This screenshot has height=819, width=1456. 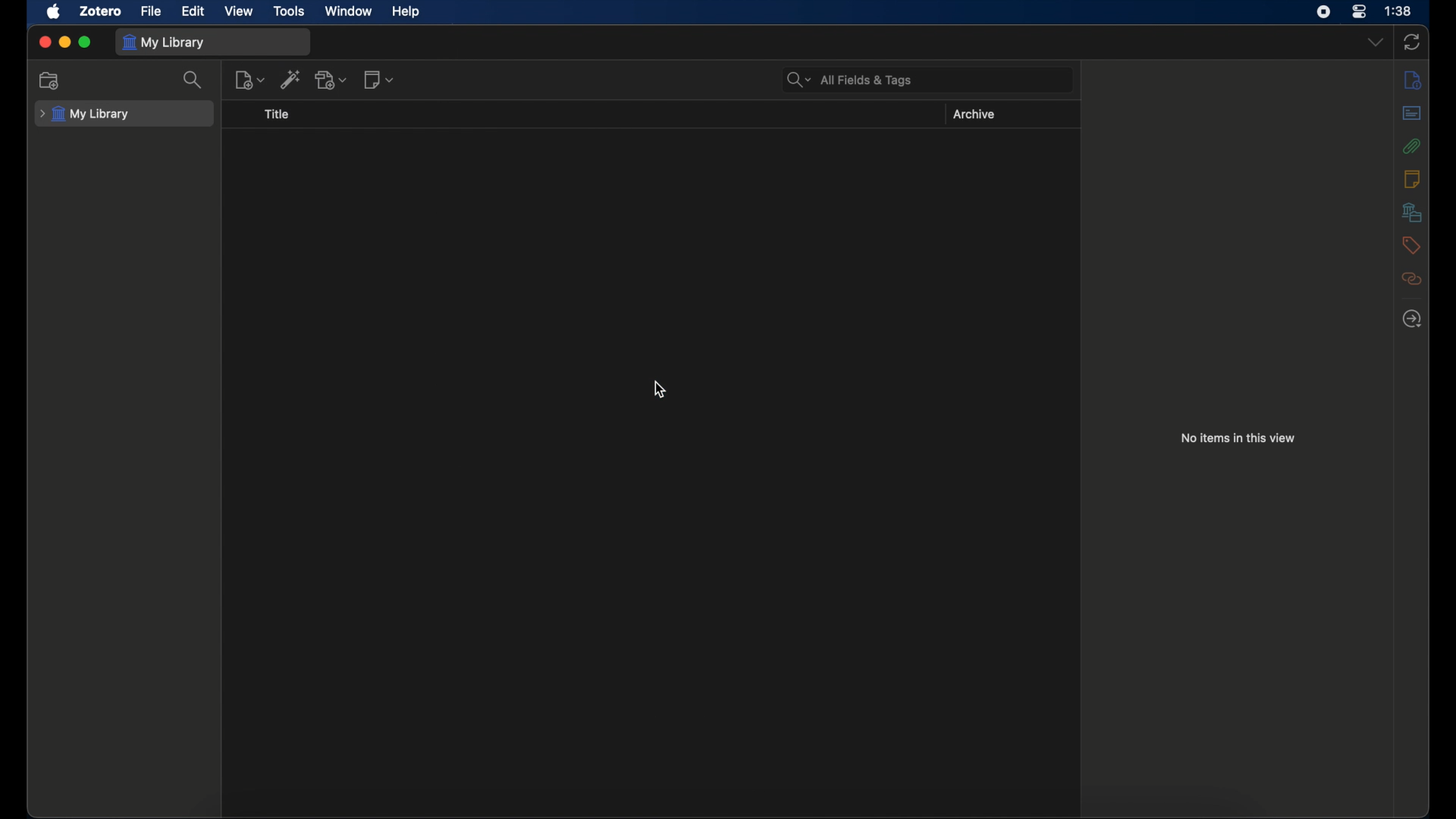 What do you see at coordinates (1238, 438) in the screenshot?
I see `no items in this view` at bounding box center [1238, 438].